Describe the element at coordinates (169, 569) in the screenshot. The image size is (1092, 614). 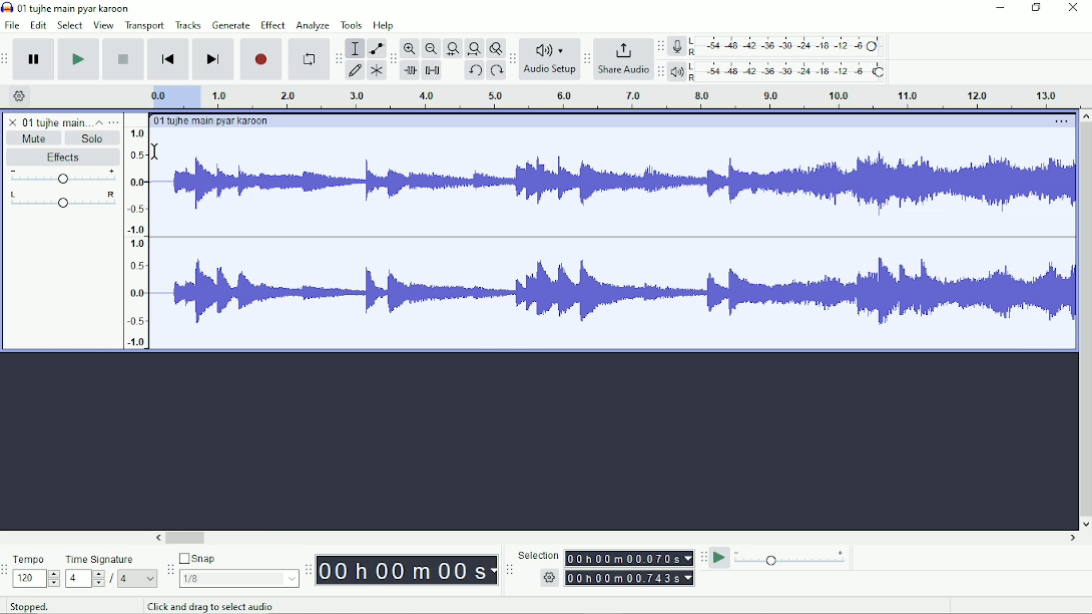
I see `Audacity snapping toolbar` at that location.